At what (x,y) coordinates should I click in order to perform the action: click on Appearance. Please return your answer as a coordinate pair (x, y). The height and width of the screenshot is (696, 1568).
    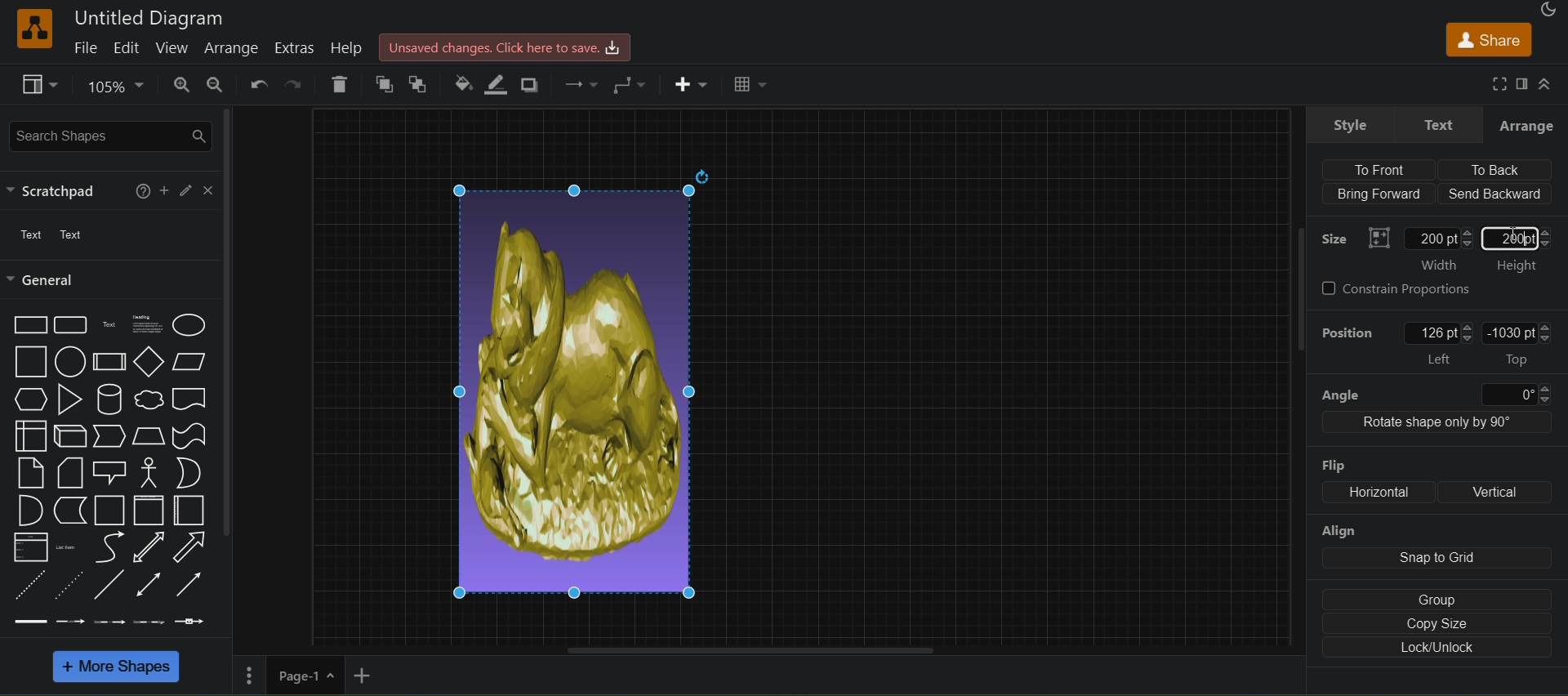
    Looking at the image, I should click on (1547, 9).